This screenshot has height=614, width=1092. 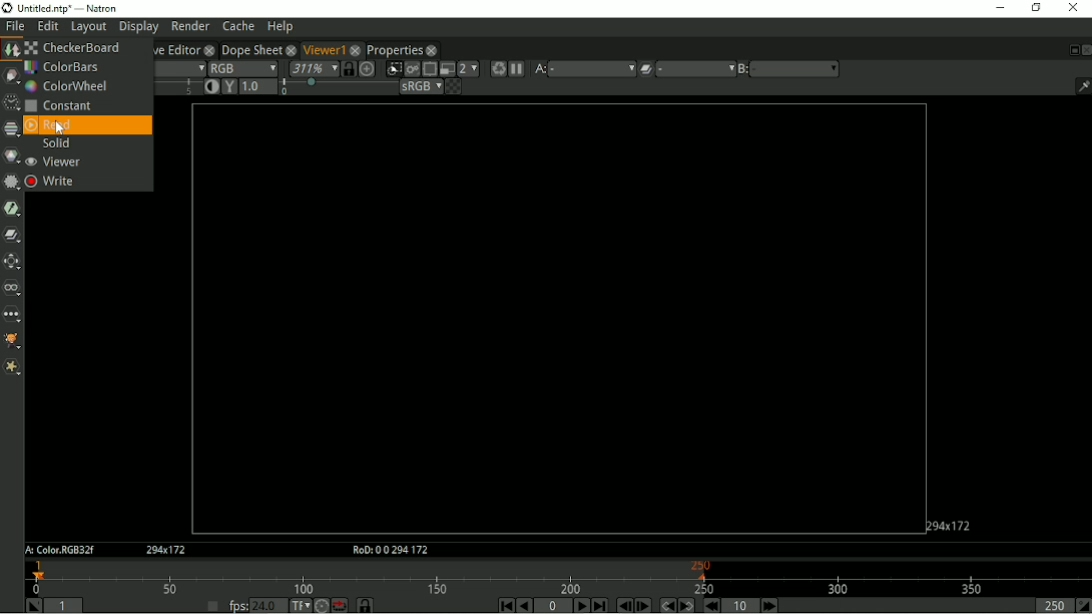 I want to click on selection bar, so click(x=337, y=88).